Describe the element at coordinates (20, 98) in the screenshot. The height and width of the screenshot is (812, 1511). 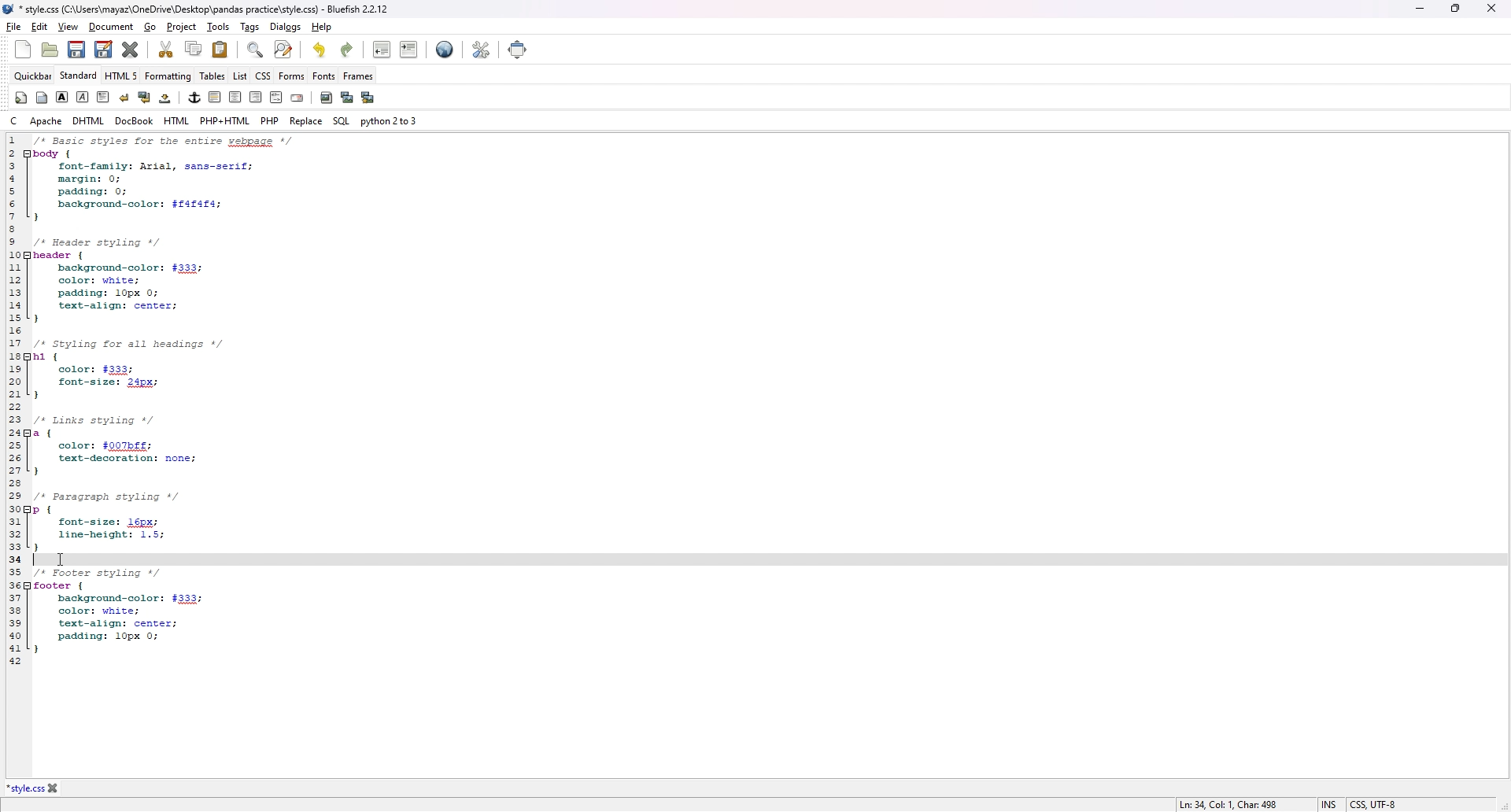
I see `quickbar` at that location.